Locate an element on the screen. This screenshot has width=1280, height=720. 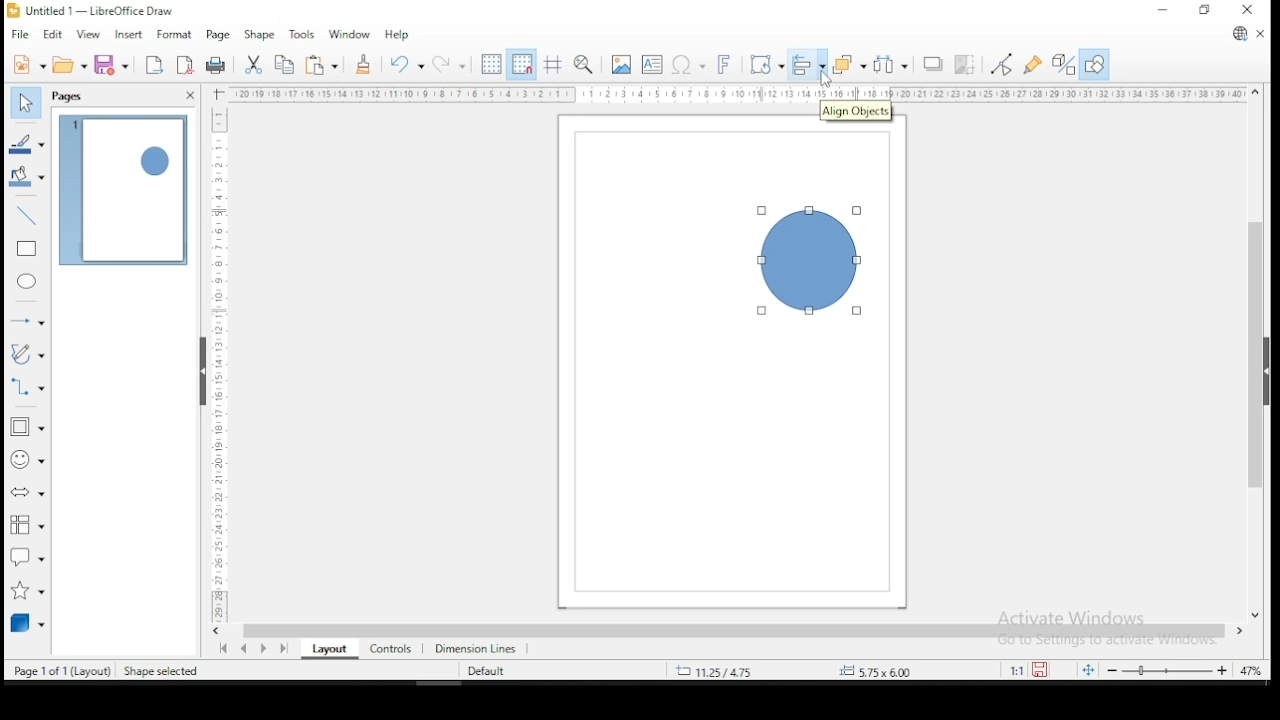
transformations is located at coordinates (764, 62).